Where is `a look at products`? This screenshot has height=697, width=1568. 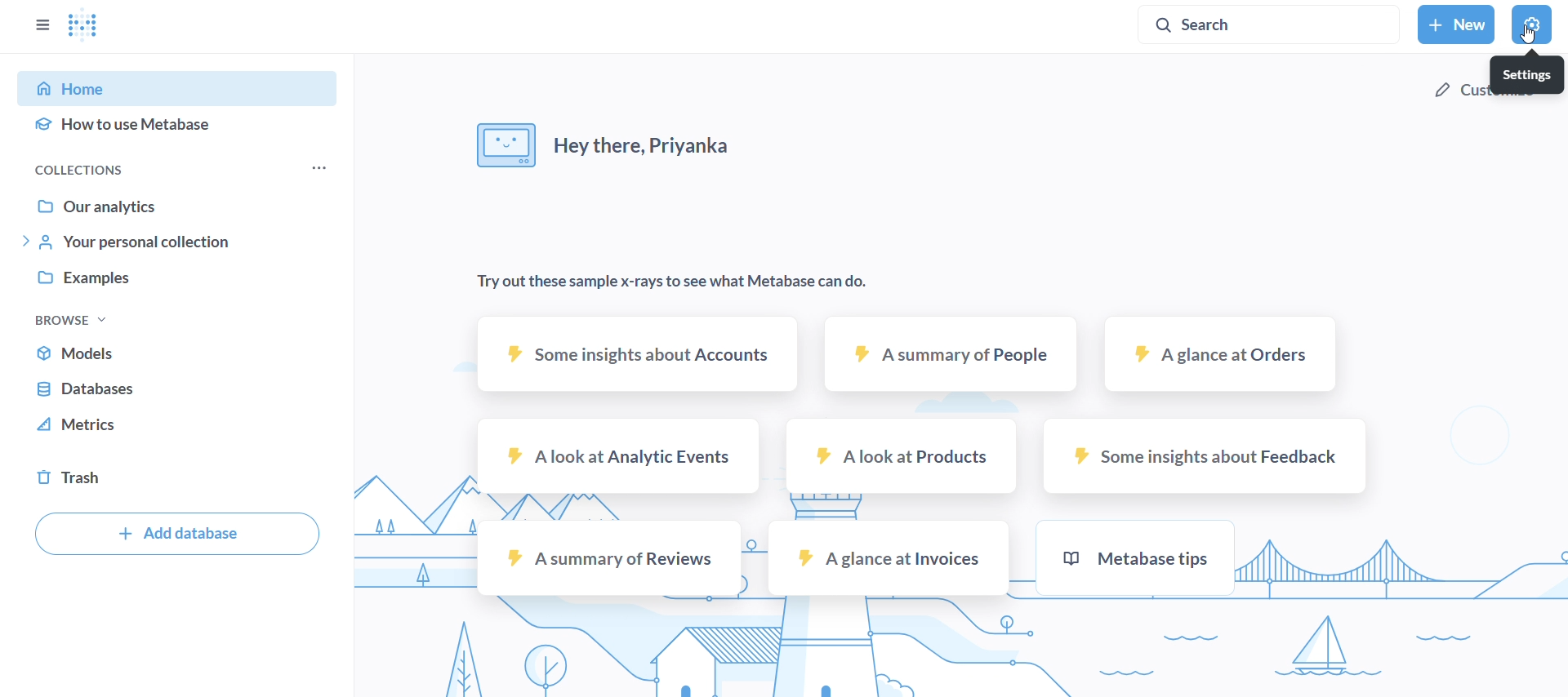
a look at products is located at coordinates (903, 453).